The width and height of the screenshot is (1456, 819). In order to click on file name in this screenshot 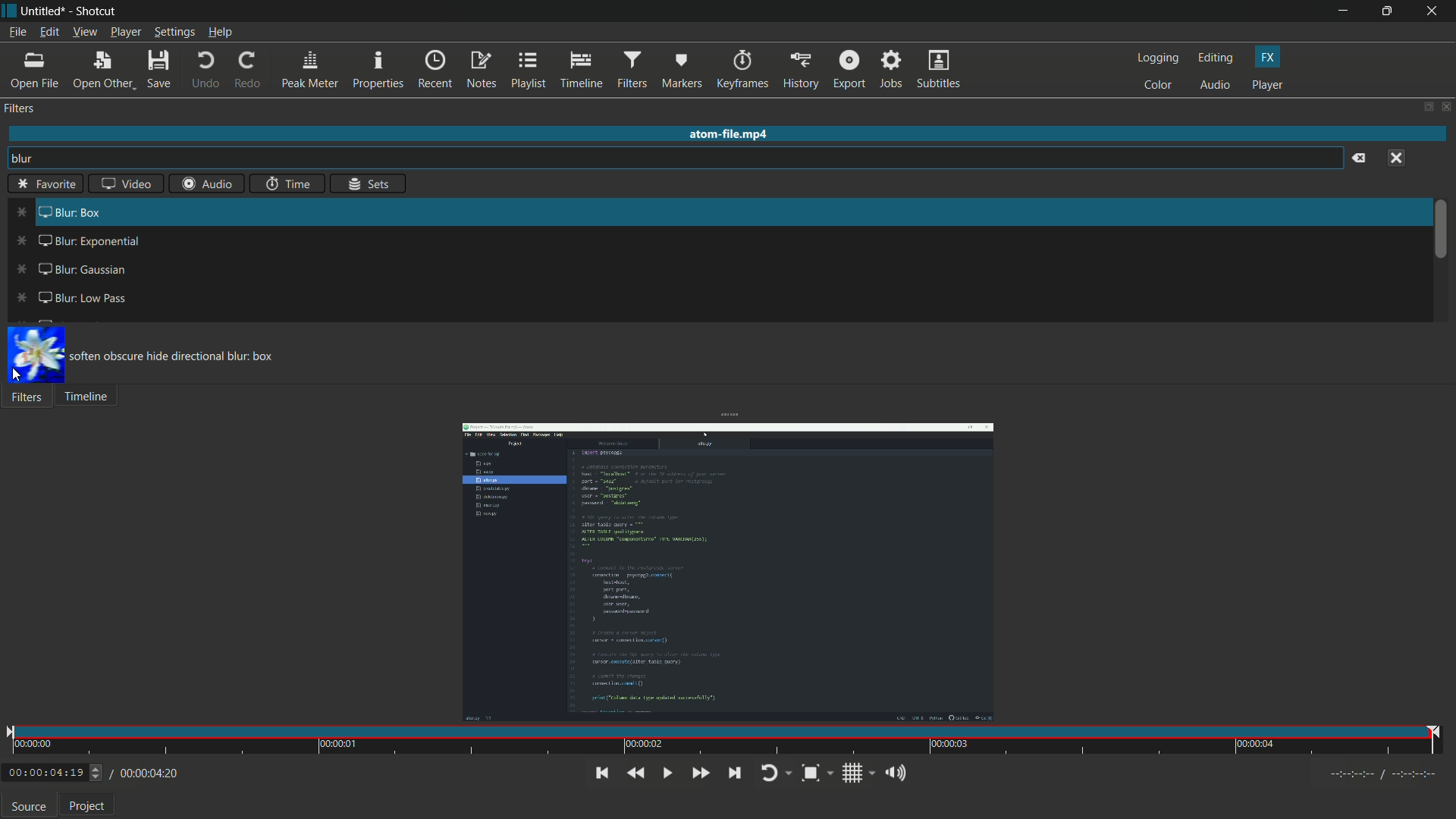, I will do `click(40, 12)`.